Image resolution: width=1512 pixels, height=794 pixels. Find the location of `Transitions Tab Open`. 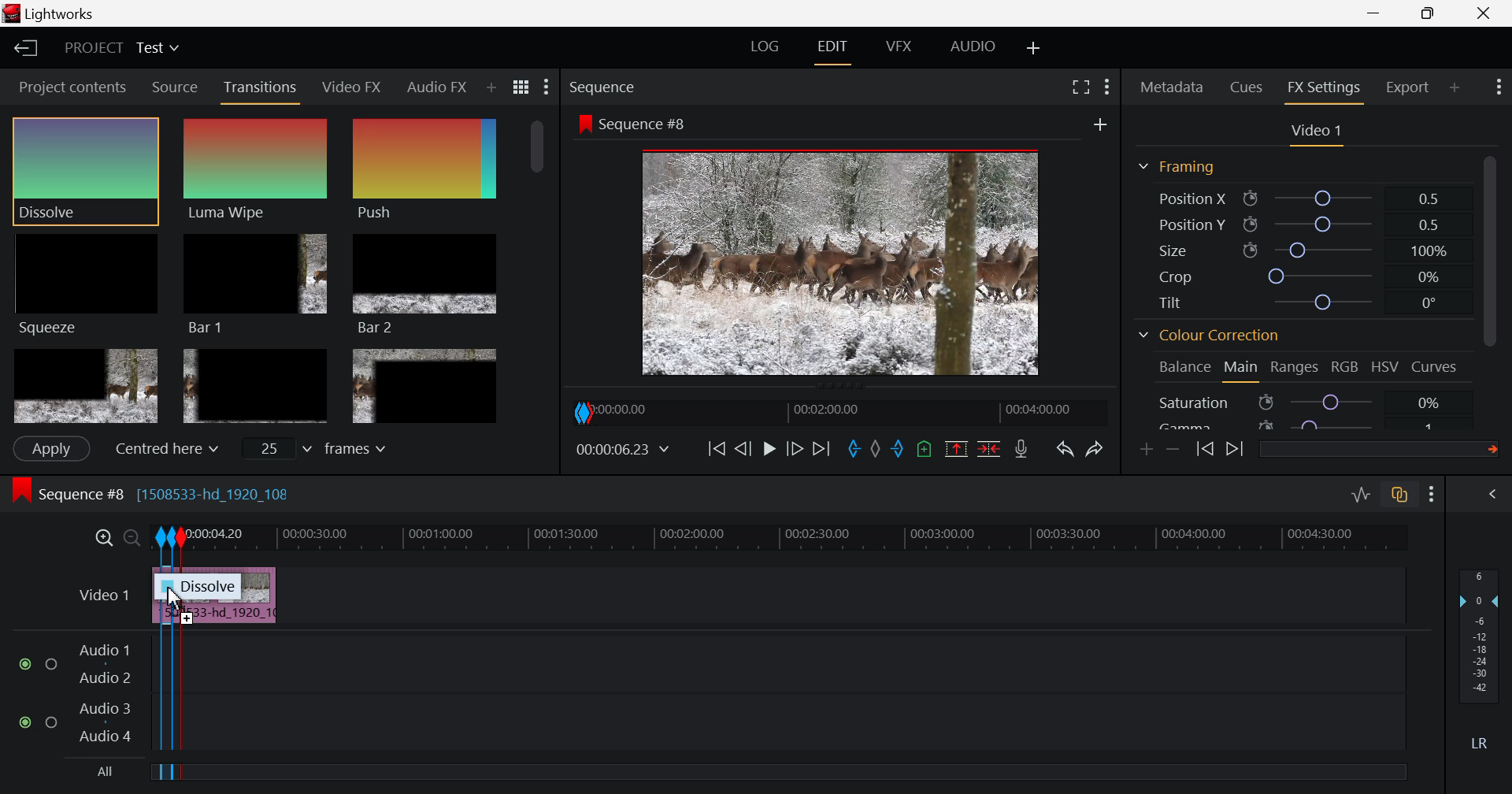

Transitions Tab Open is located at coordinates (264, 88).